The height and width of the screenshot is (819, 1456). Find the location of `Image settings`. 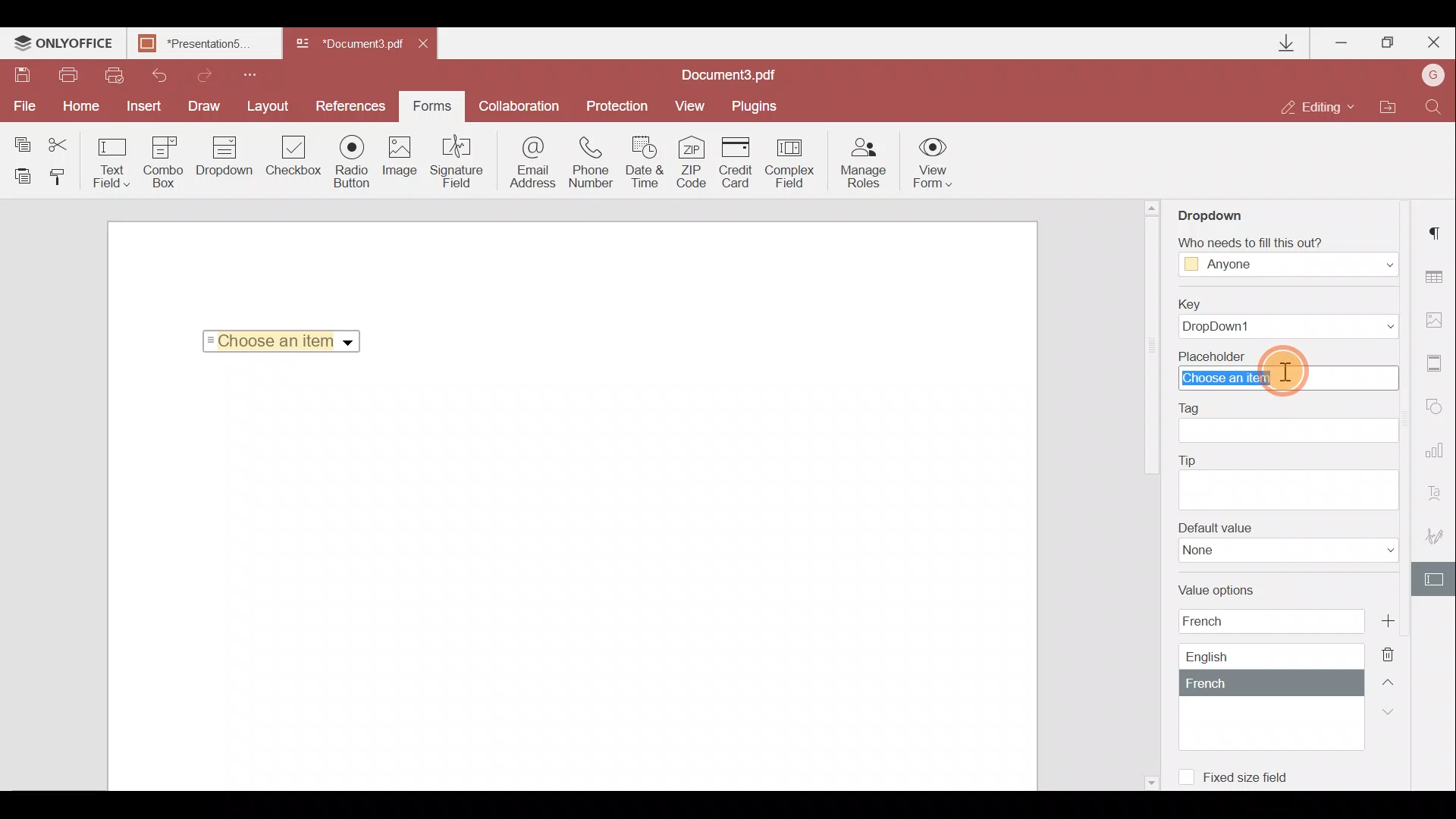

Image settings is located at coordinates (1438, 316).